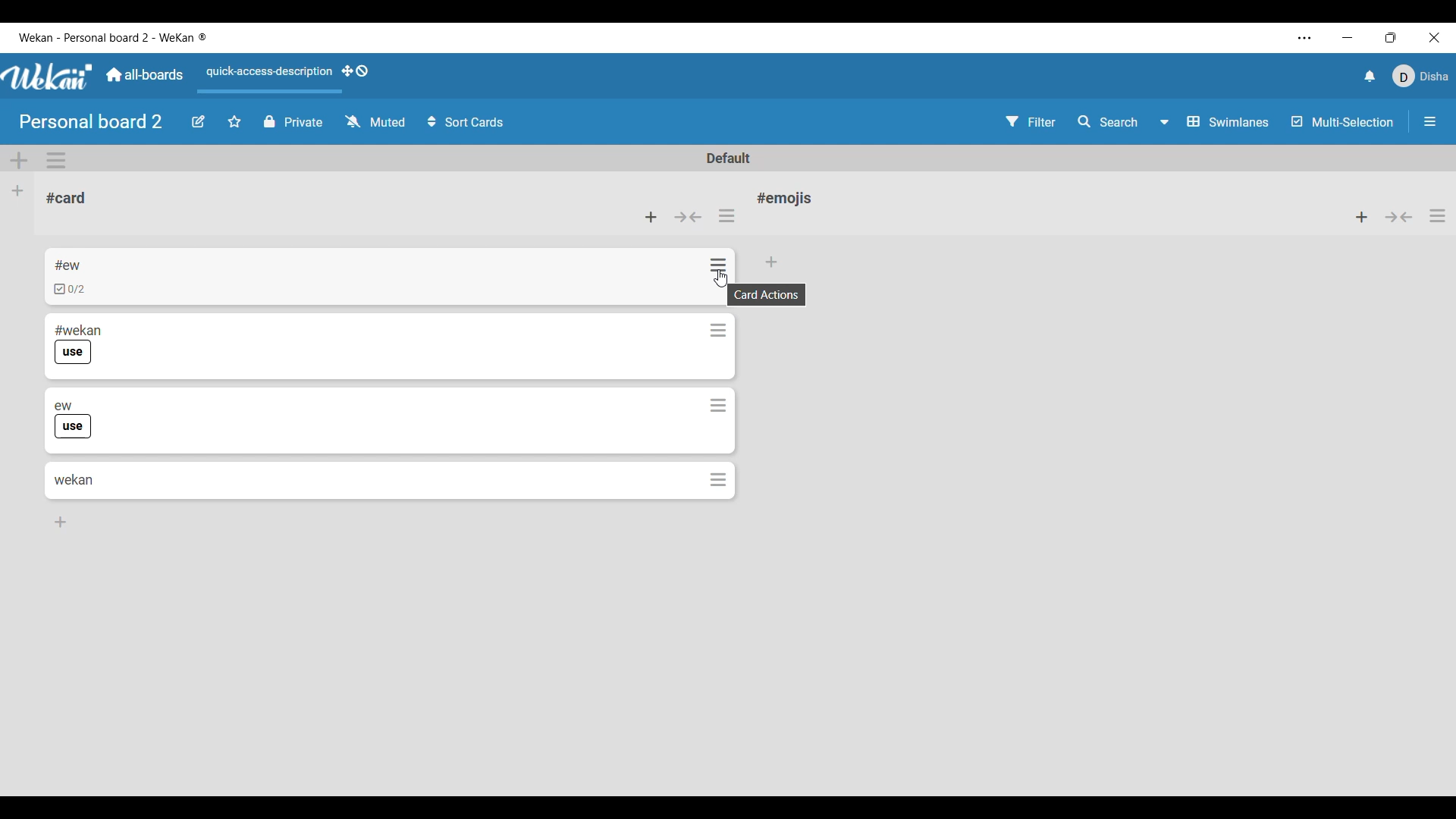  Describe the element at coordinates (112, 38) in the screenshot. I see `Software name and board name` at that location.